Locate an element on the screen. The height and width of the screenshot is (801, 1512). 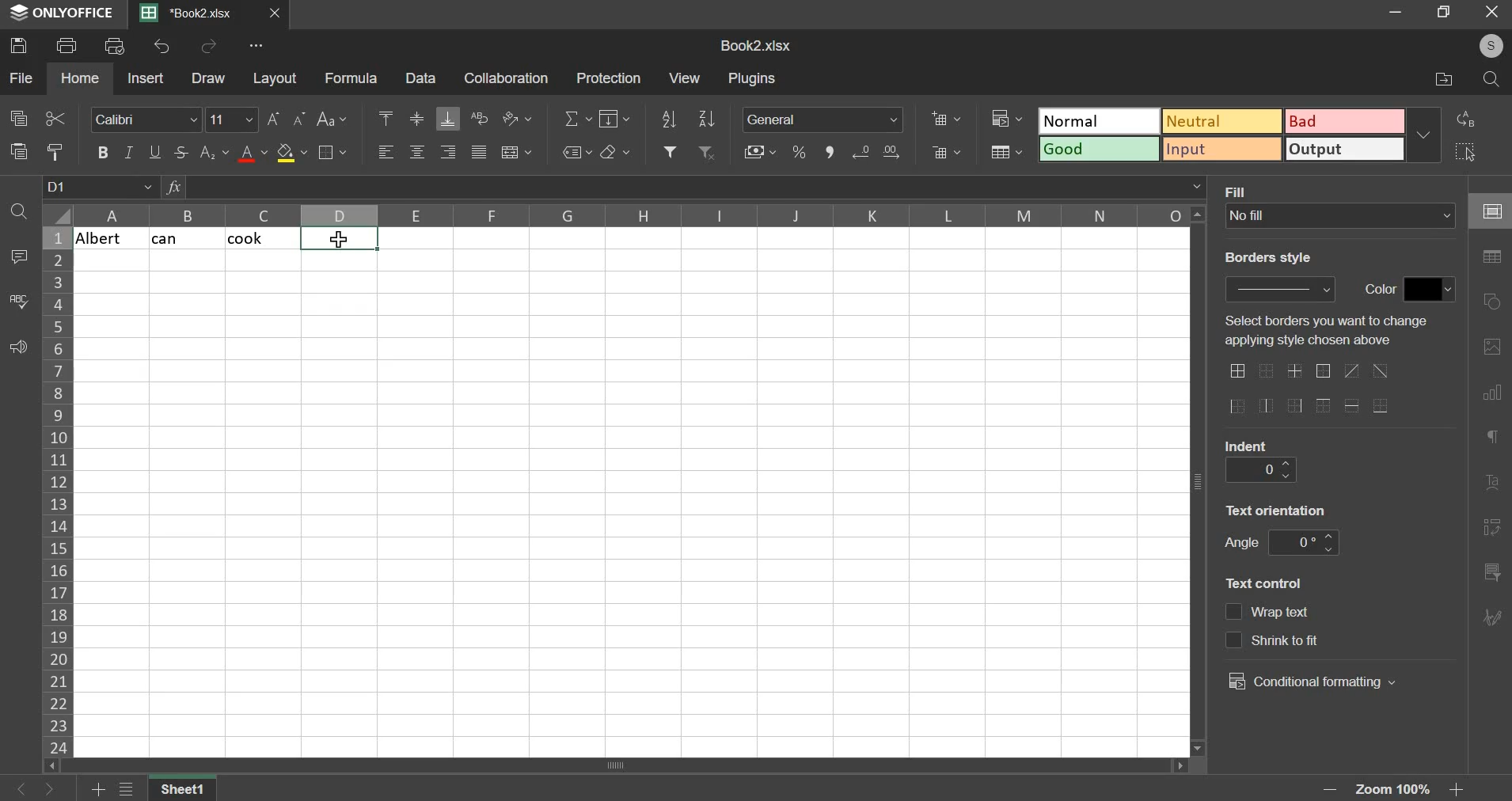
underline is located at coordinates (156, 152).